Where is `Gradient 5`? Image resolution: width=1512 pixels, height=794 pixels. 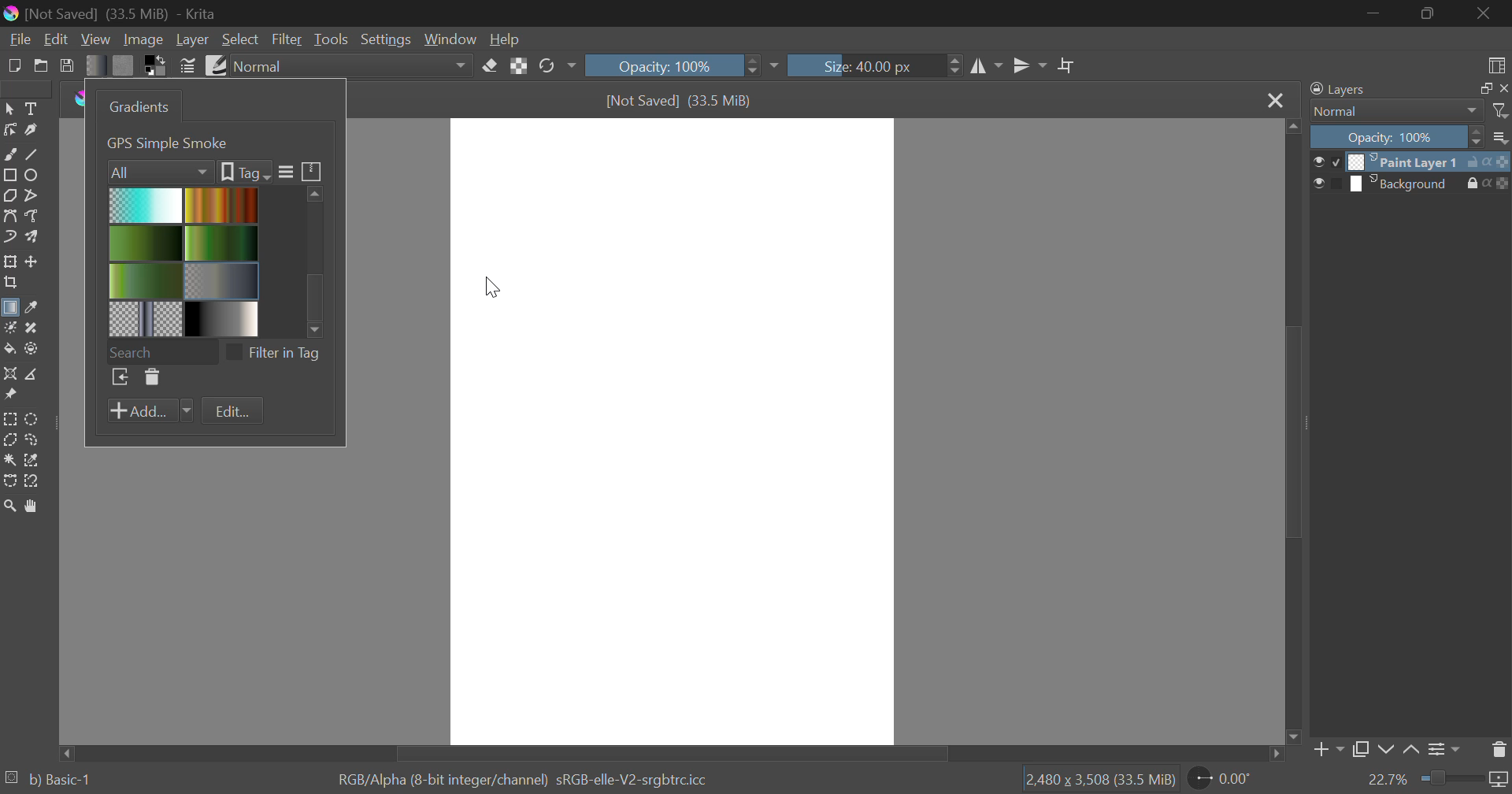
Gradient 5 is located at coordinates (146, 280).